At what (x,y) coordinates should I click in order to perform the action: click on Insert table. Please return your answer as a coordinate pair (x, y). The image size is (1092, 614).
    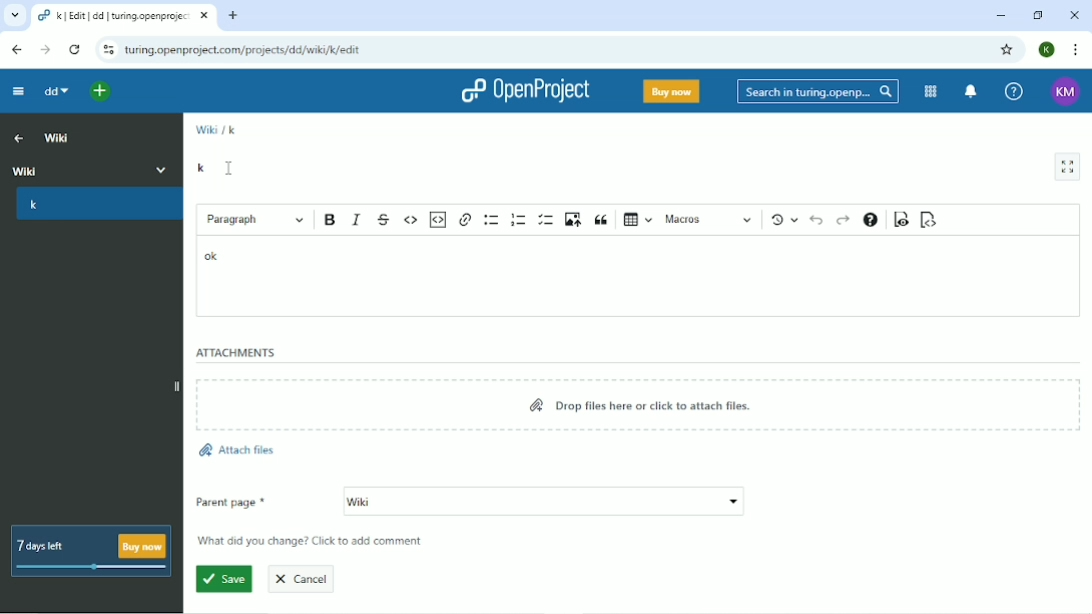
    Looking at the image, I should click on (636, 221).